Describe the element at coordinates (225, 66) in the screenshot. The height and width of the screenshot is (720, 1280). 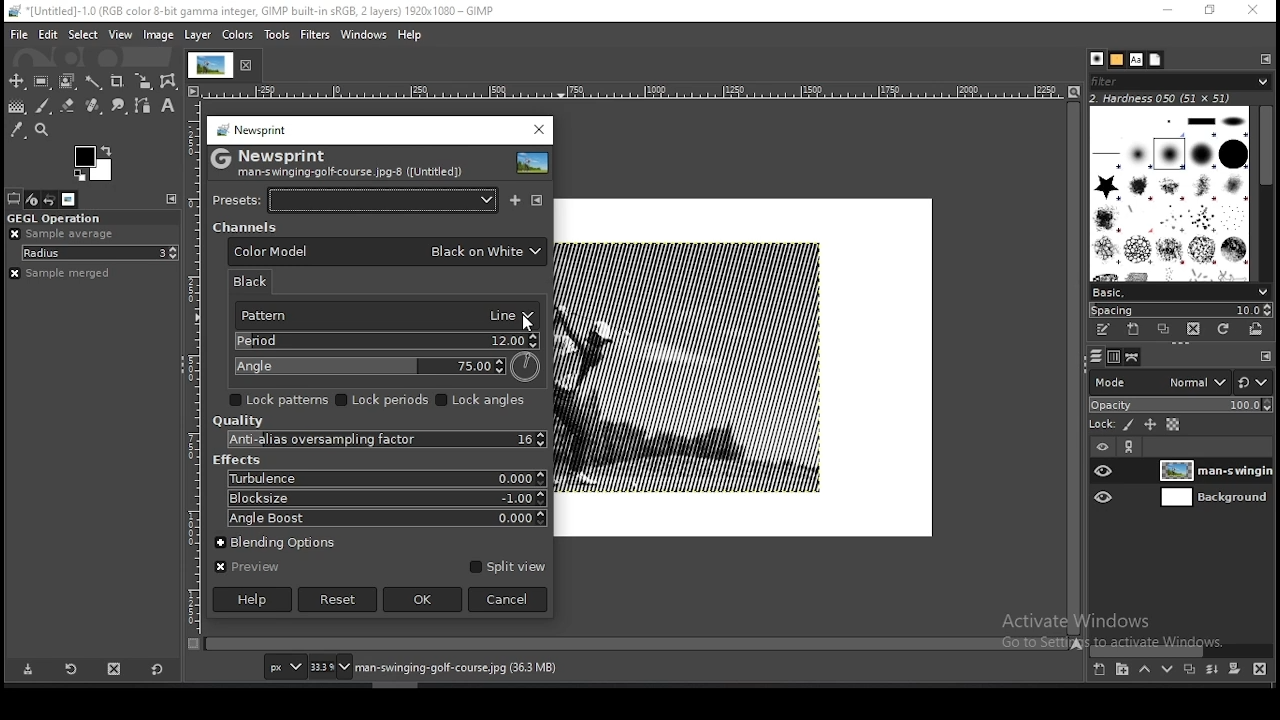
I see `tab` at that location.